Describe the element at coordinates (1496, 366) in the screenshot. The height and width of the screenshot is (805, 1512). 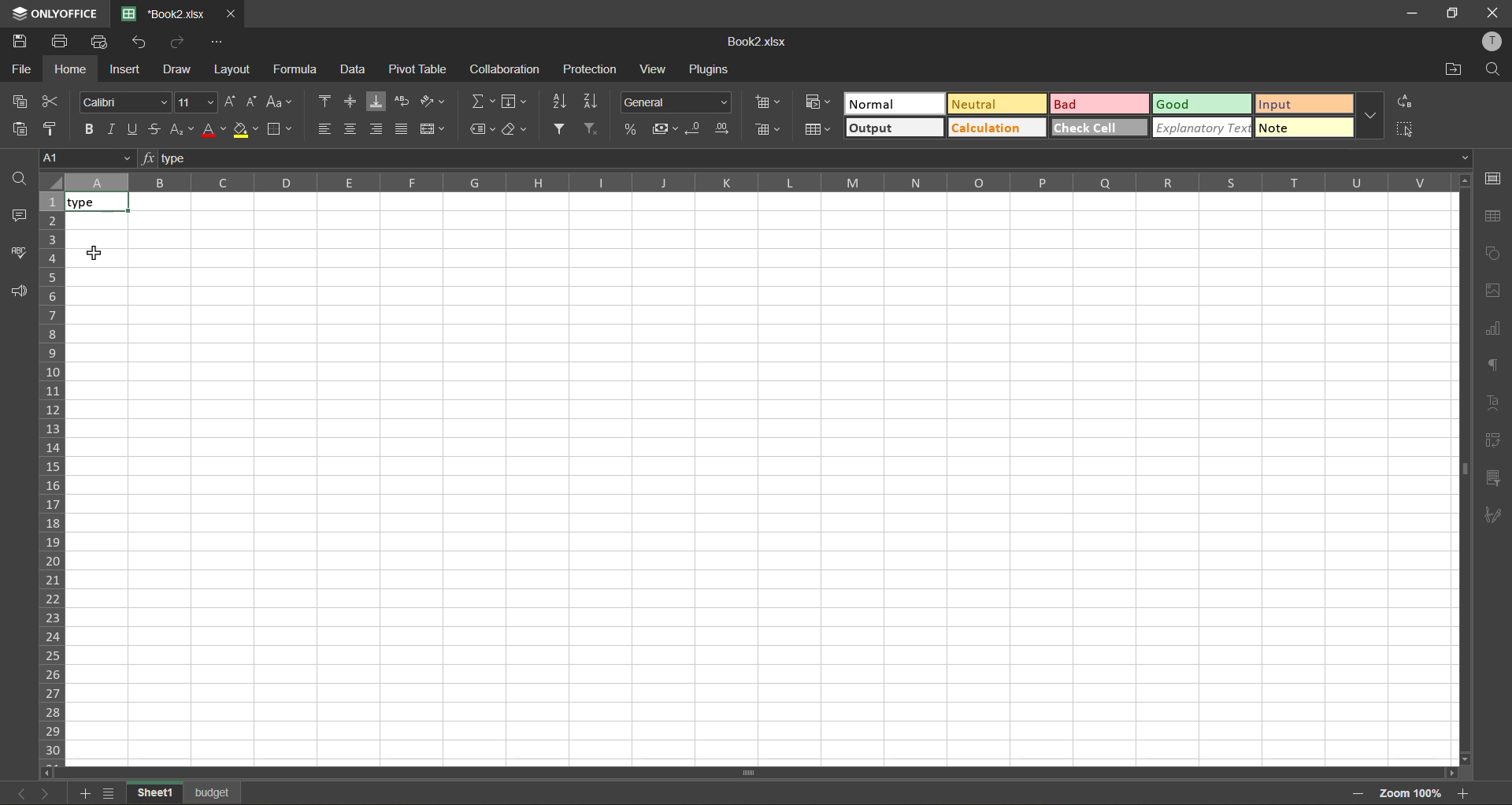
I see `paragraph` at that location.